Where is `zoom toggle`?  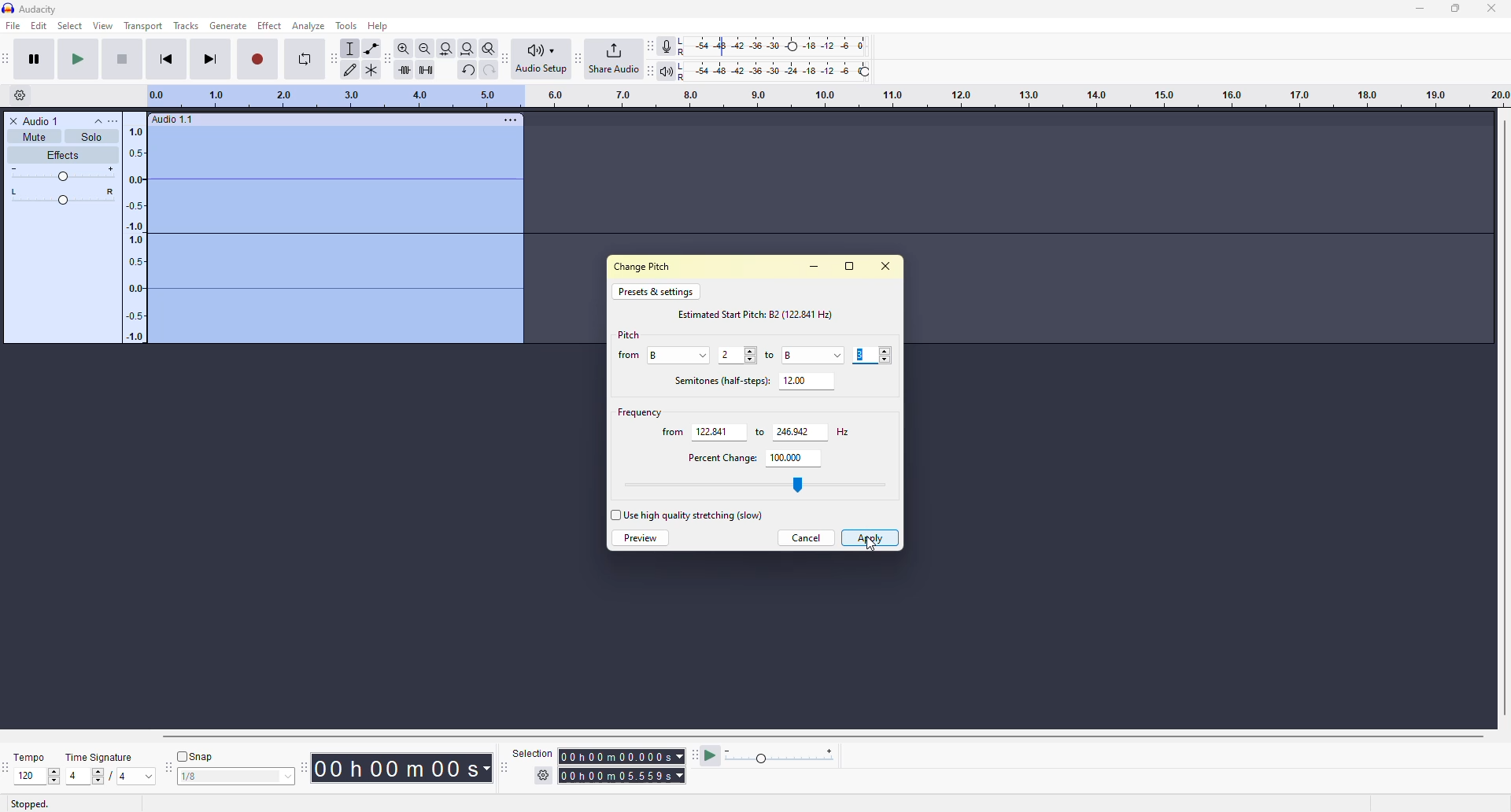
zoom toggle is located at coordinates (490, 48).